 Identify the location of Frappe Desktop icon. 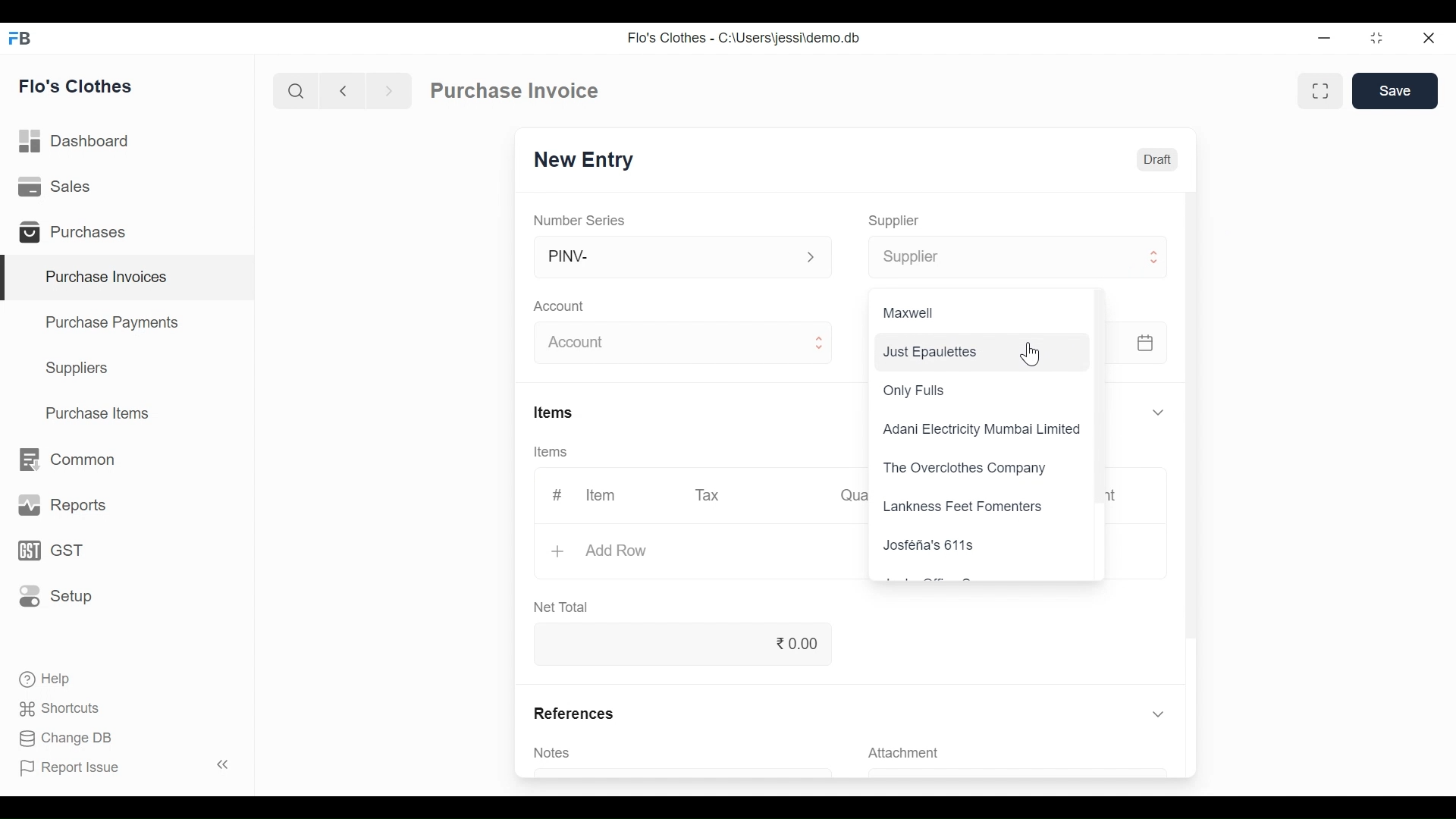
(24, 39).